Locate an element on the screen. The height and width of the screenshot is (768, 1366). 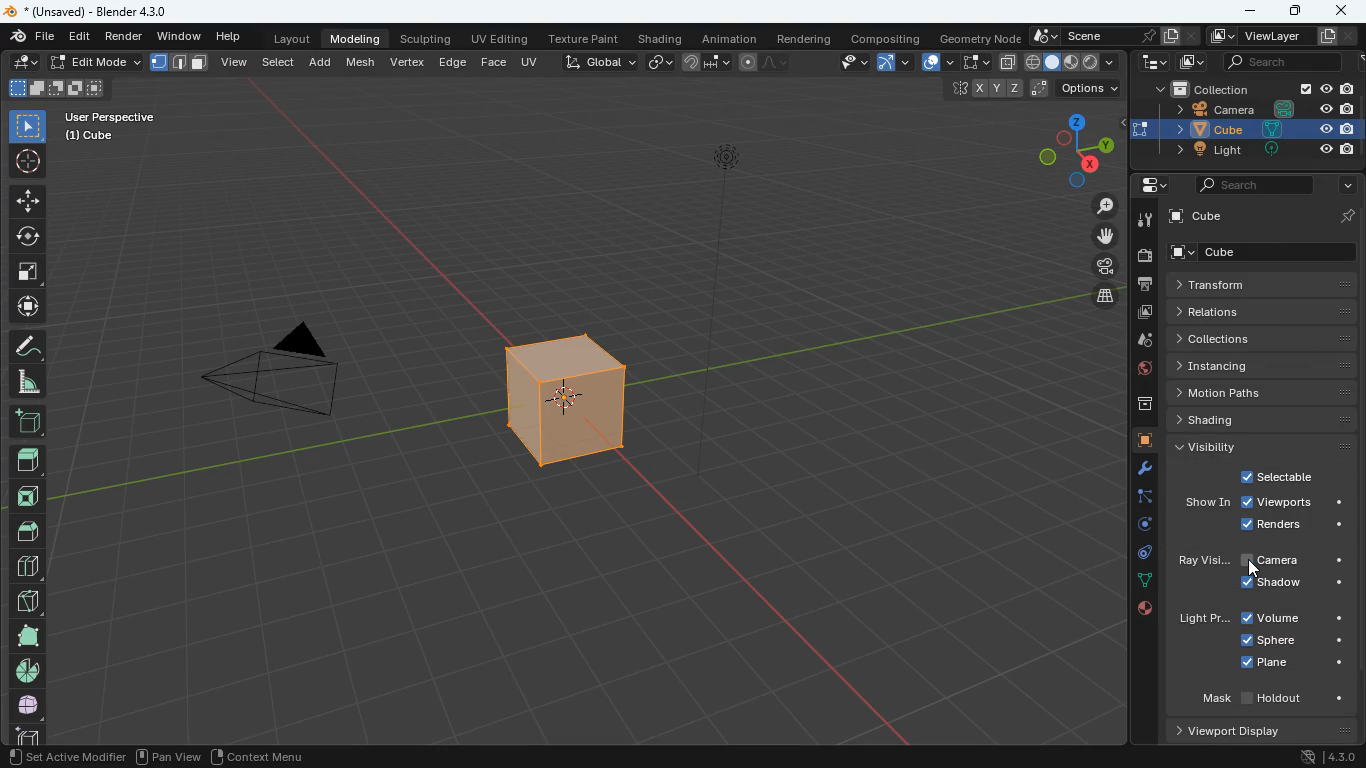
plane is located at coordinates (1293, 664).